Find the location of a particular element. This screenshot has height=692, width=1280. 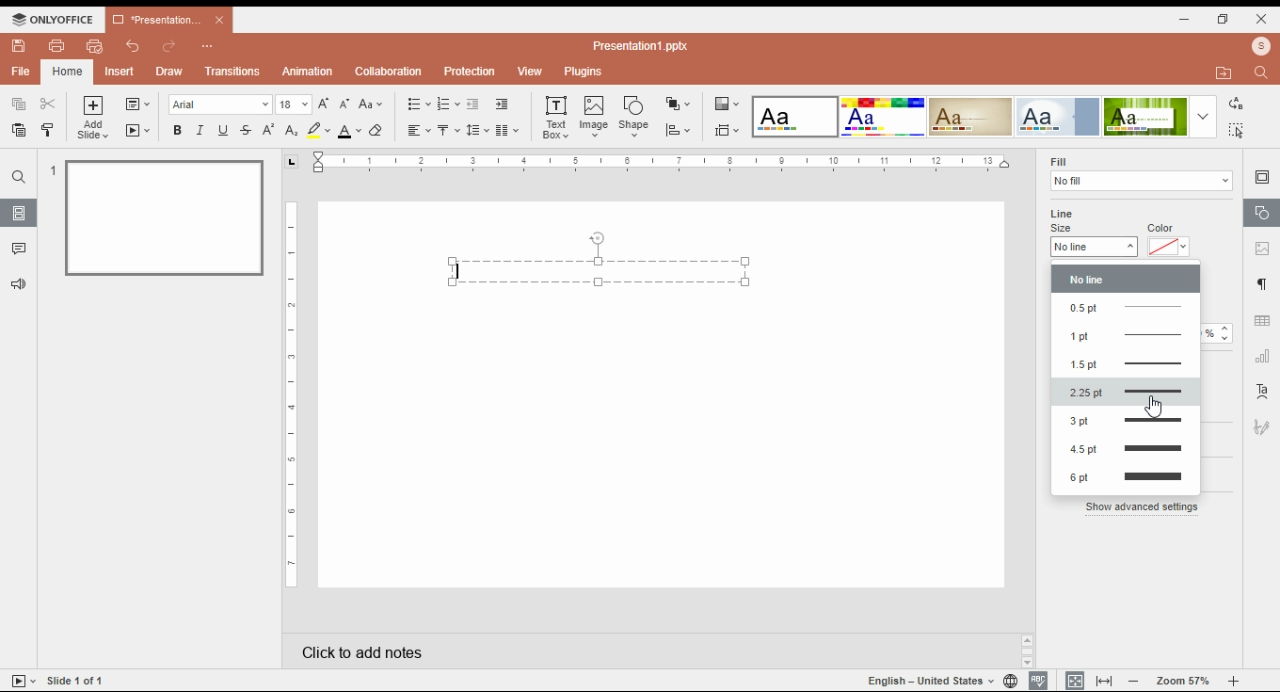

color theme is located at coordinates (971, 116).